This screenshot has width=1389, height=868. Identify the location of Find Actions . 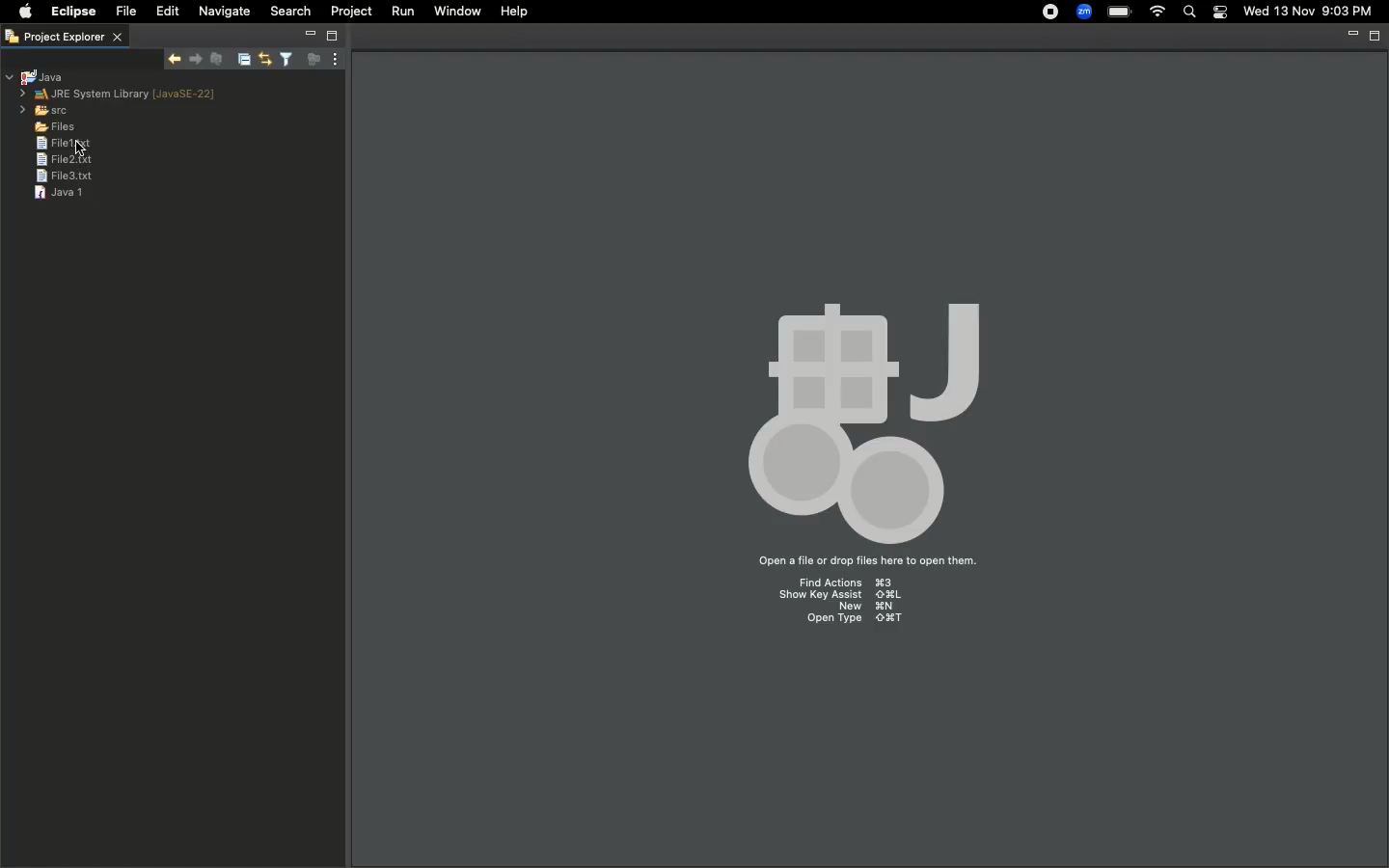
(855, 583).